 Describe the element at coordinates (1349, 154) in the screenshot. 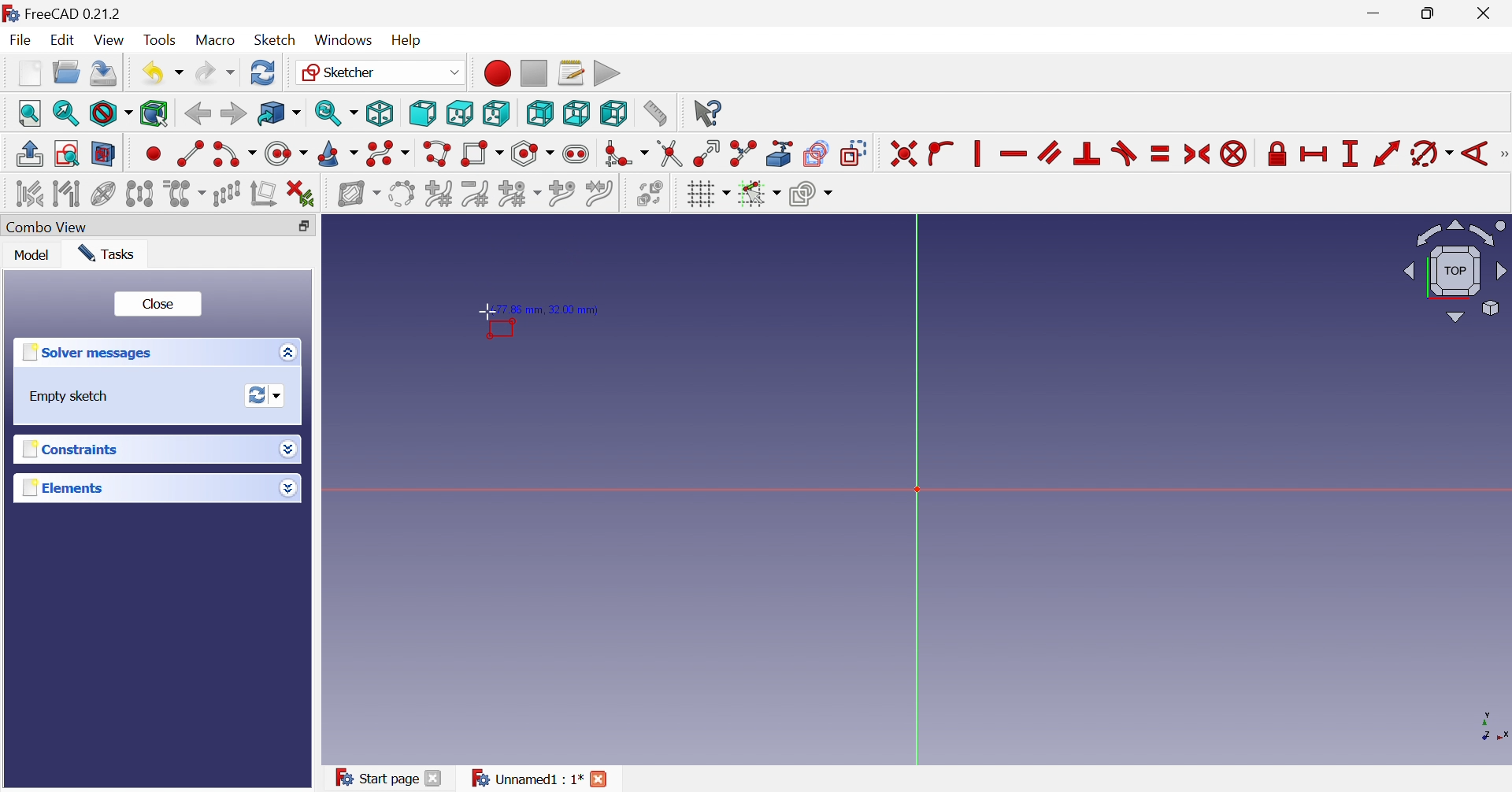

I see `Constrain vertical distance` at that location.